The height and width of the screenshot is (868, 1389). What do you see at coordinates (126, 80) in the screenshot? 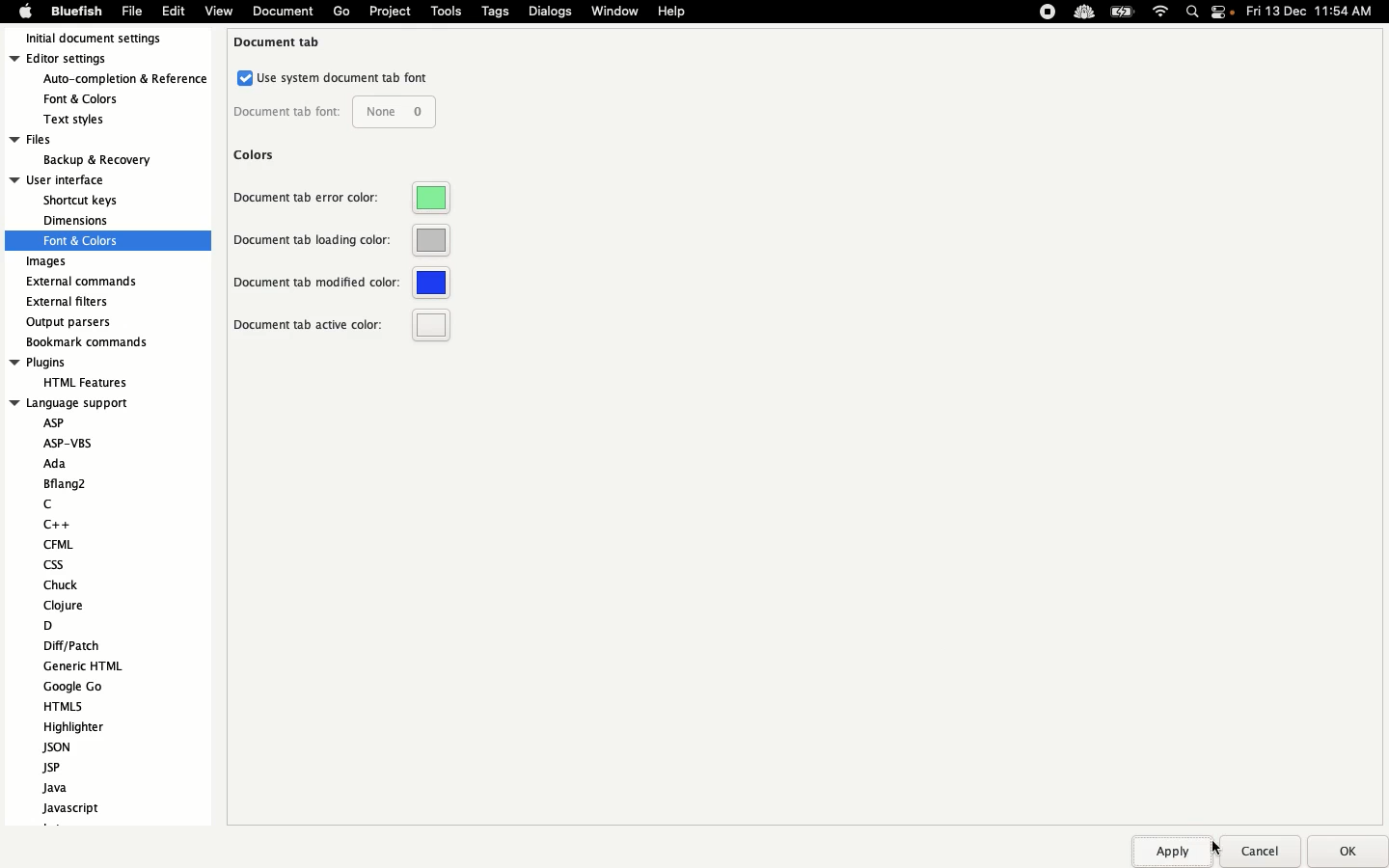
I see `auto-completion & refrences` at bounding box center [126, 80].